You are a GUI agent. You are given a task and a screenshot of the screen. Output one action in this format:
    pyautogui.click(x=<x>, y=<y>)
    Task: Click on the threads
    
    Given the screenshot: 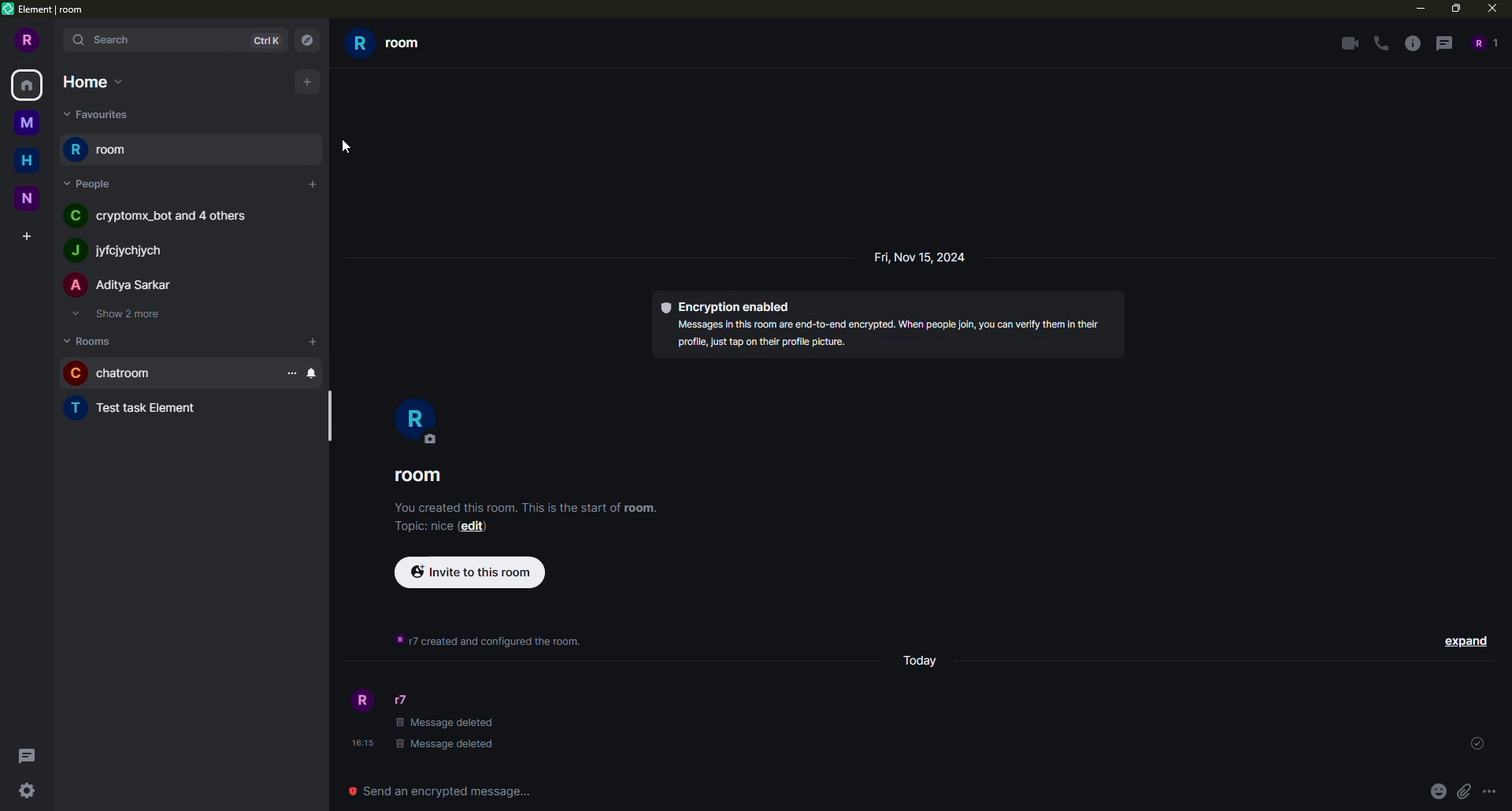 What is the action you would take?
    pyautogui.click(x=31, y=755)
    